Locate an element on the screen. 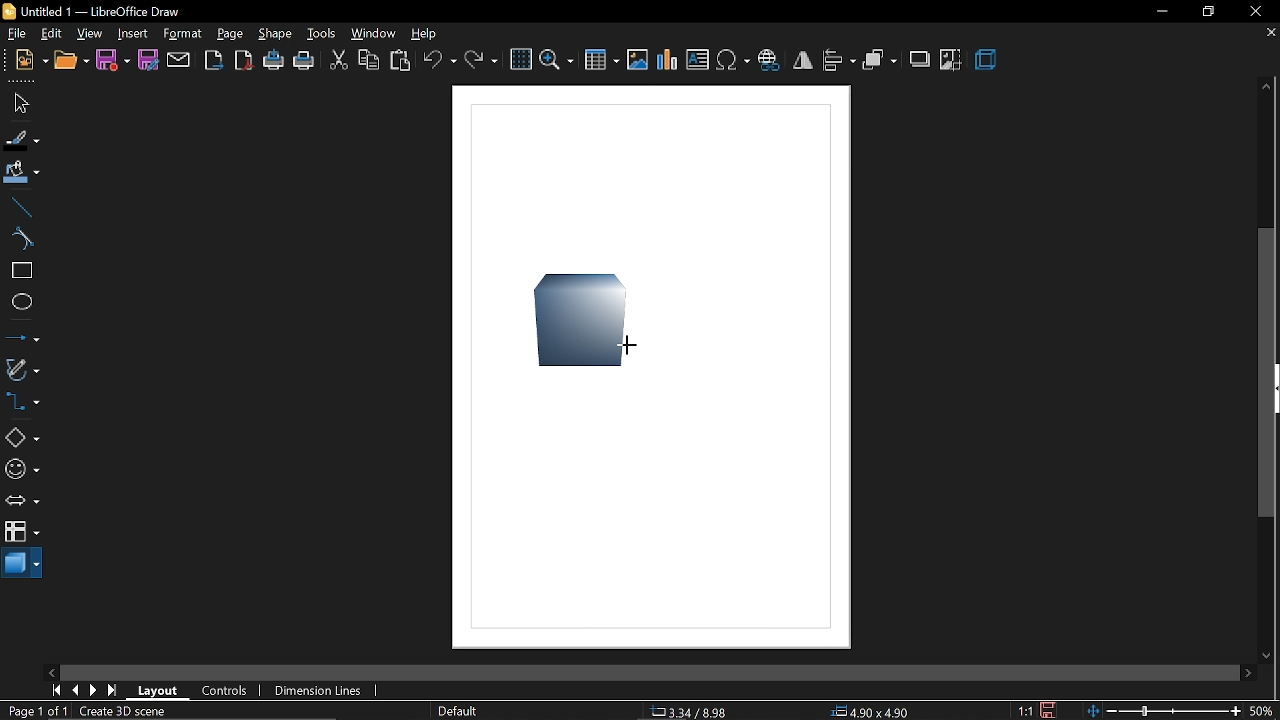  change zoom is located at coordinates (1160, 712).